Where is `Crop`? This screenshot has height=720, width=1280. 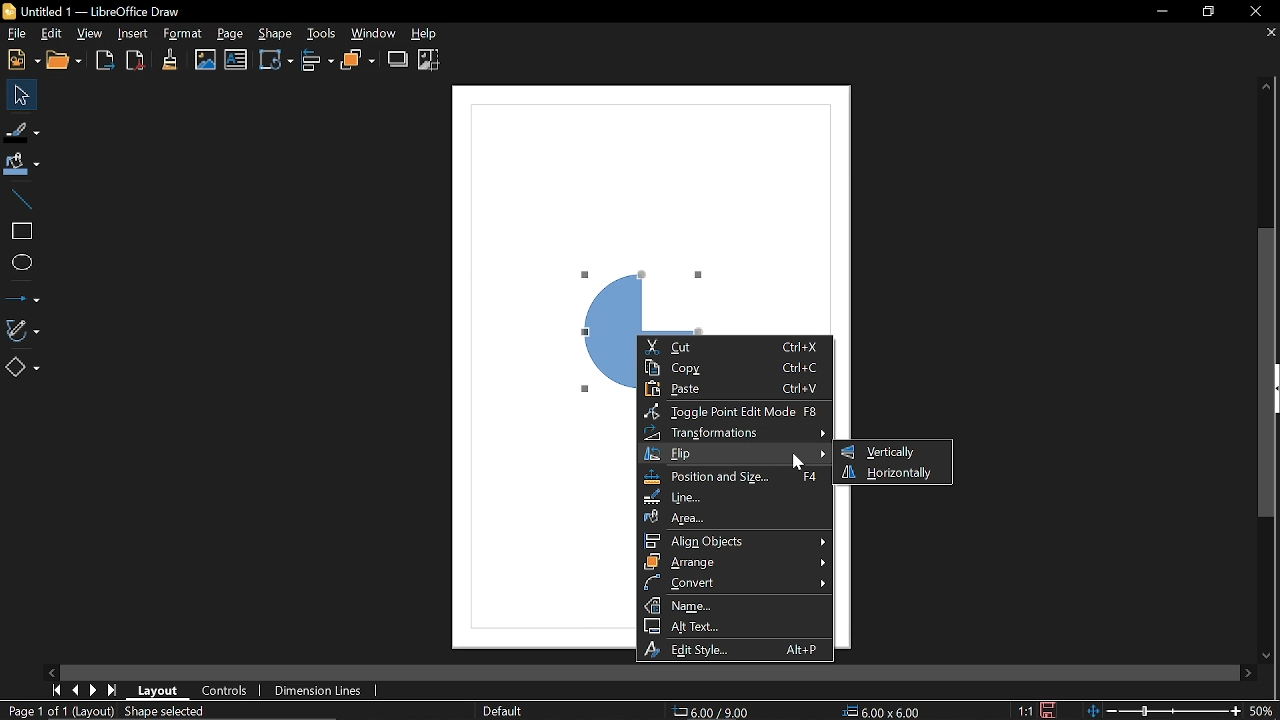
Crop is located at coordinates (428, 60).